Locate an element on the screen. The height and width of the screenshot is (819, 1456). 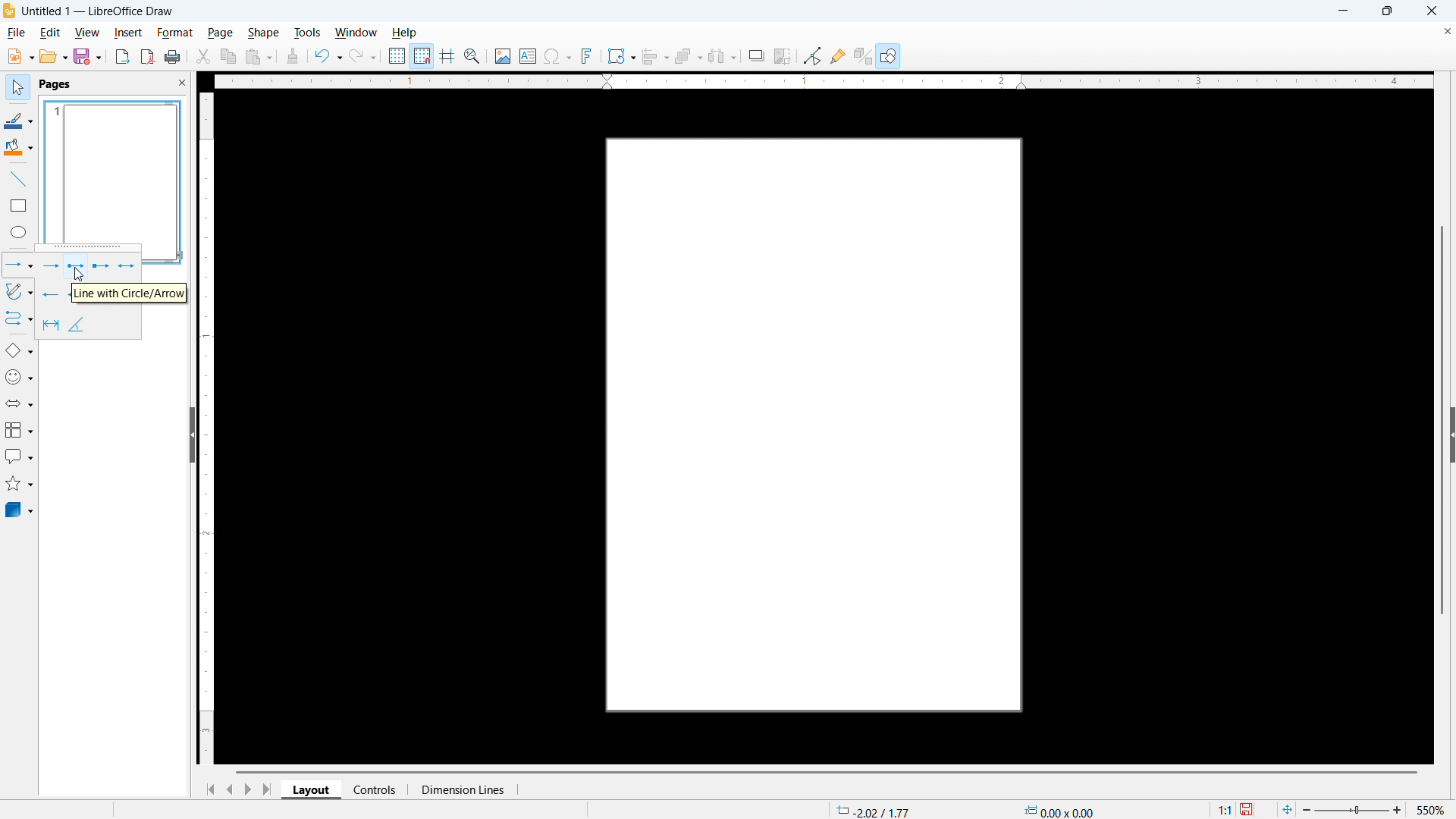
Block arrows  is located at coordinates (20, 404).